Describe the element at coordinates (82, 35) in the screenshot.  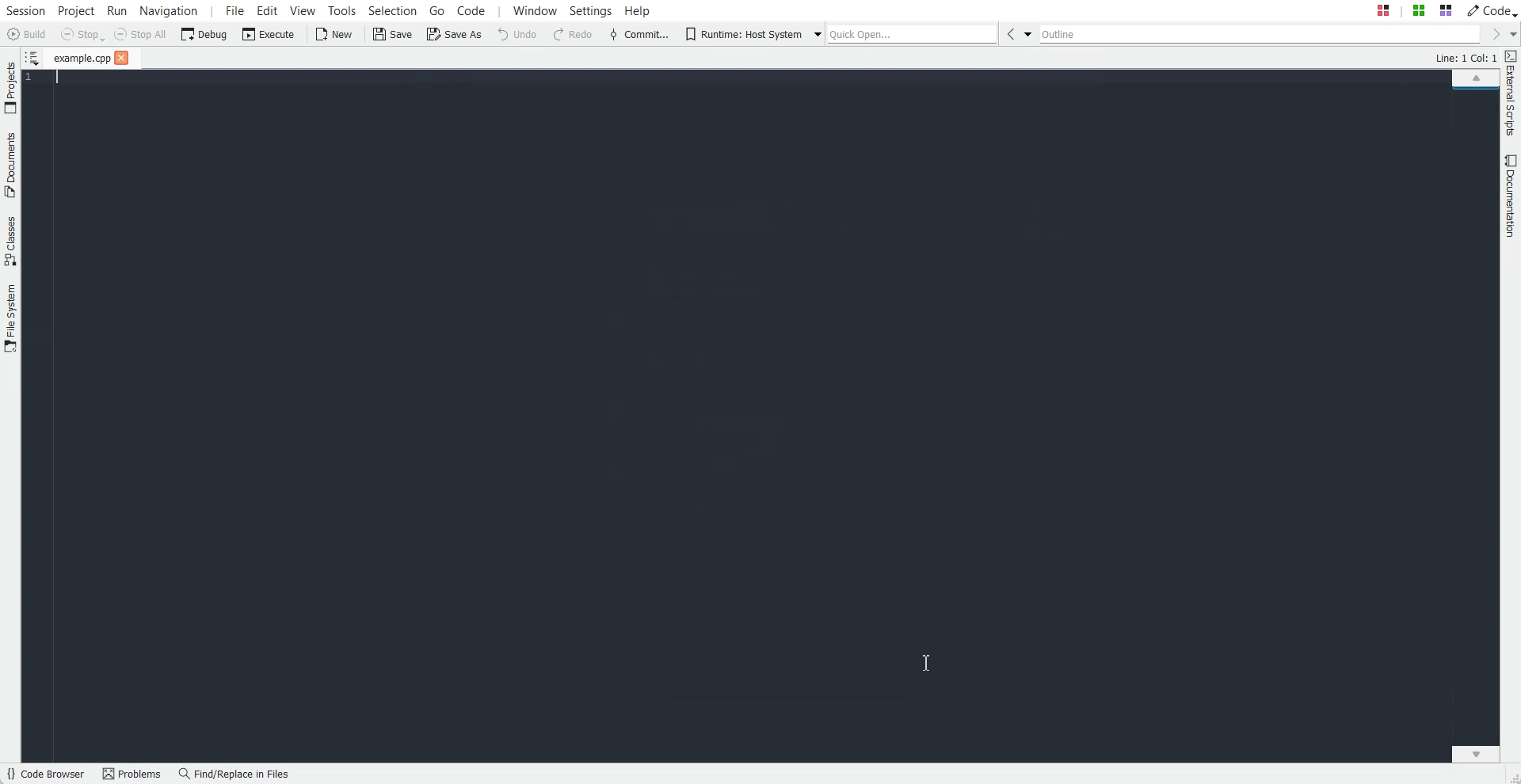
I see `Stop` at that location.